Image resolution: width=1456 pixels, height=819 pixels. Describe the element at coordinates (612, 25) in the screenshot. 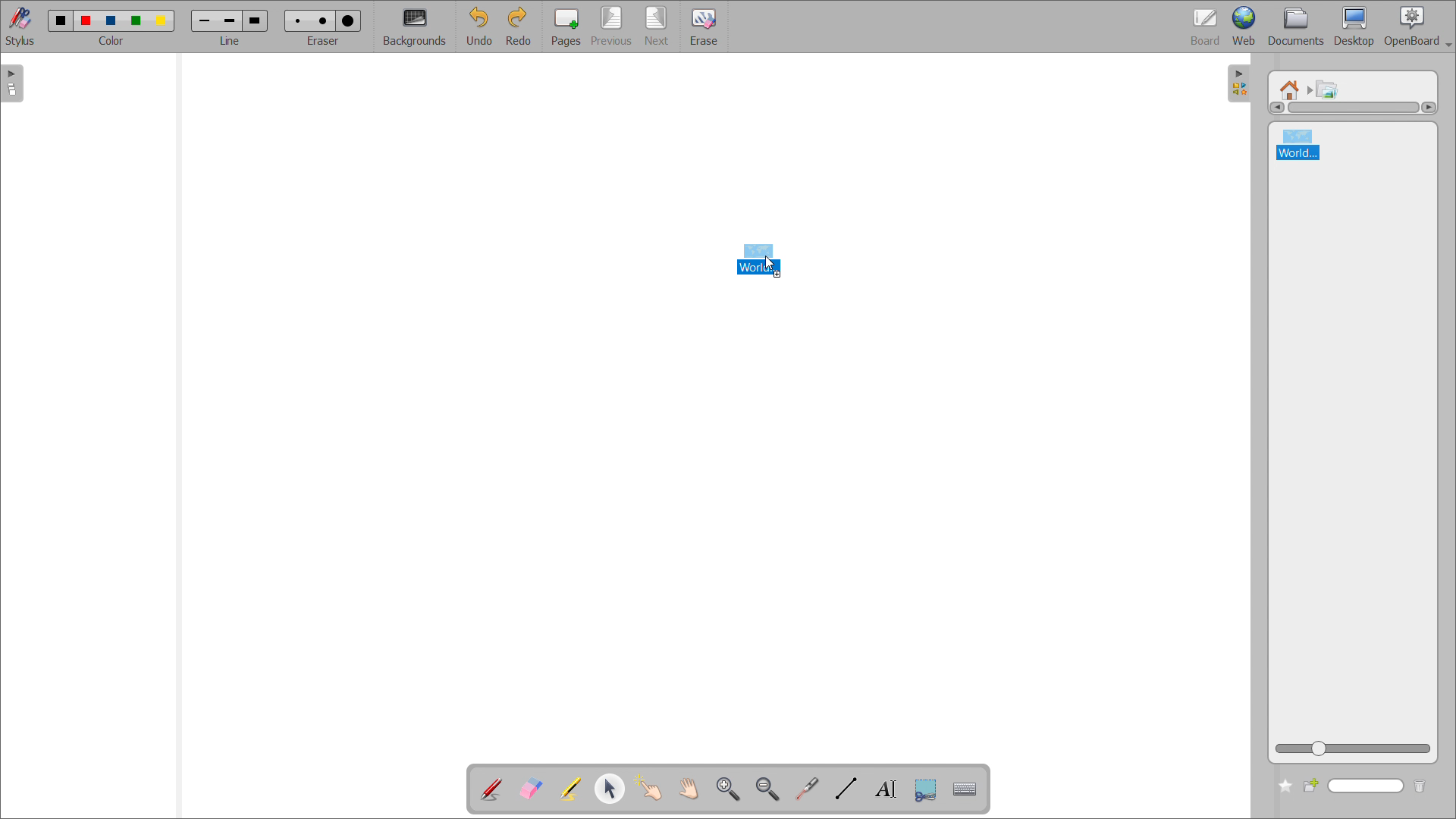

I see `previous page` at that location.